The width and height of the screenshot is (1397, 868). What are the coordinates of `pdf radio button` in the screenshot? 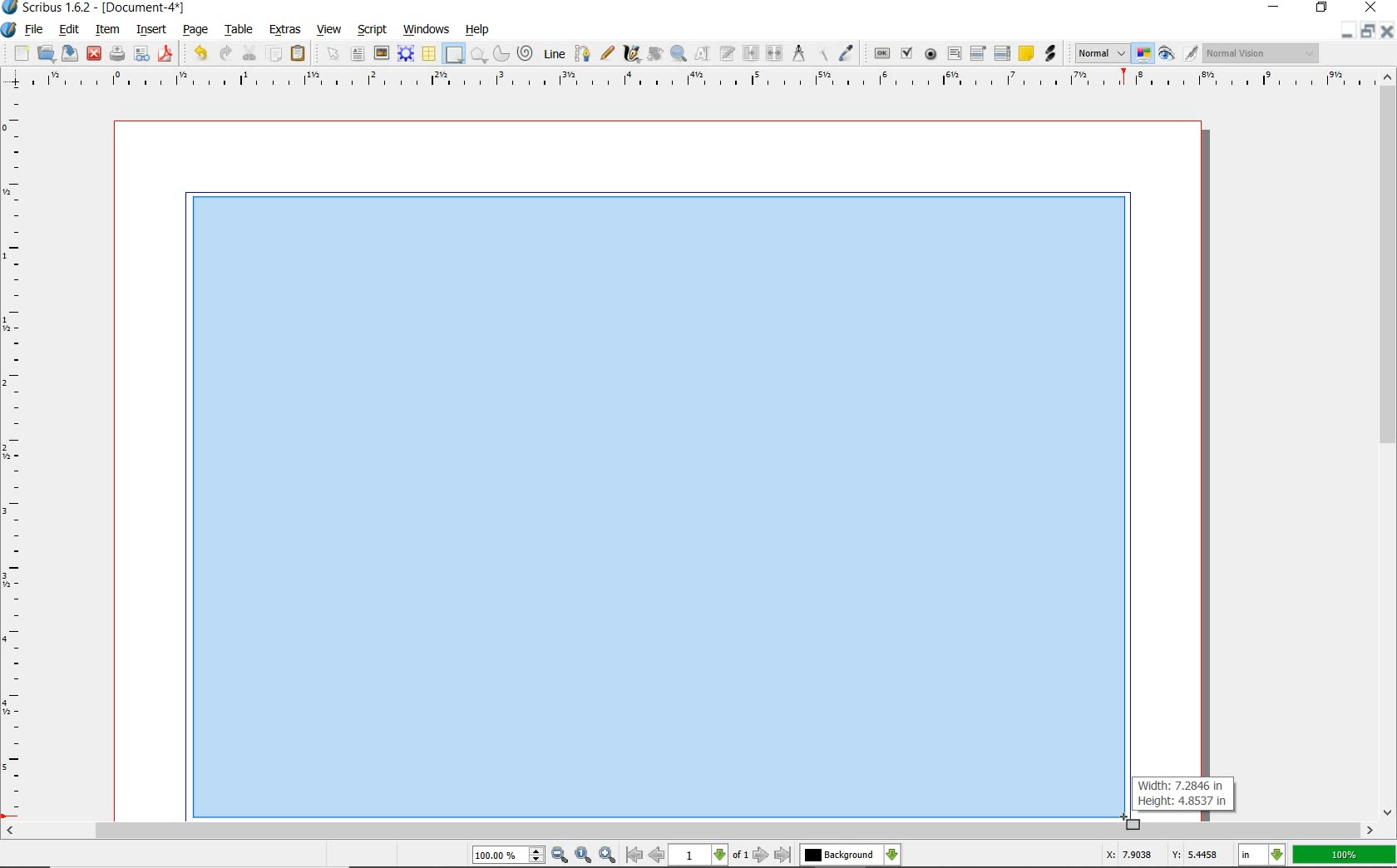 It's located at (929, 55).